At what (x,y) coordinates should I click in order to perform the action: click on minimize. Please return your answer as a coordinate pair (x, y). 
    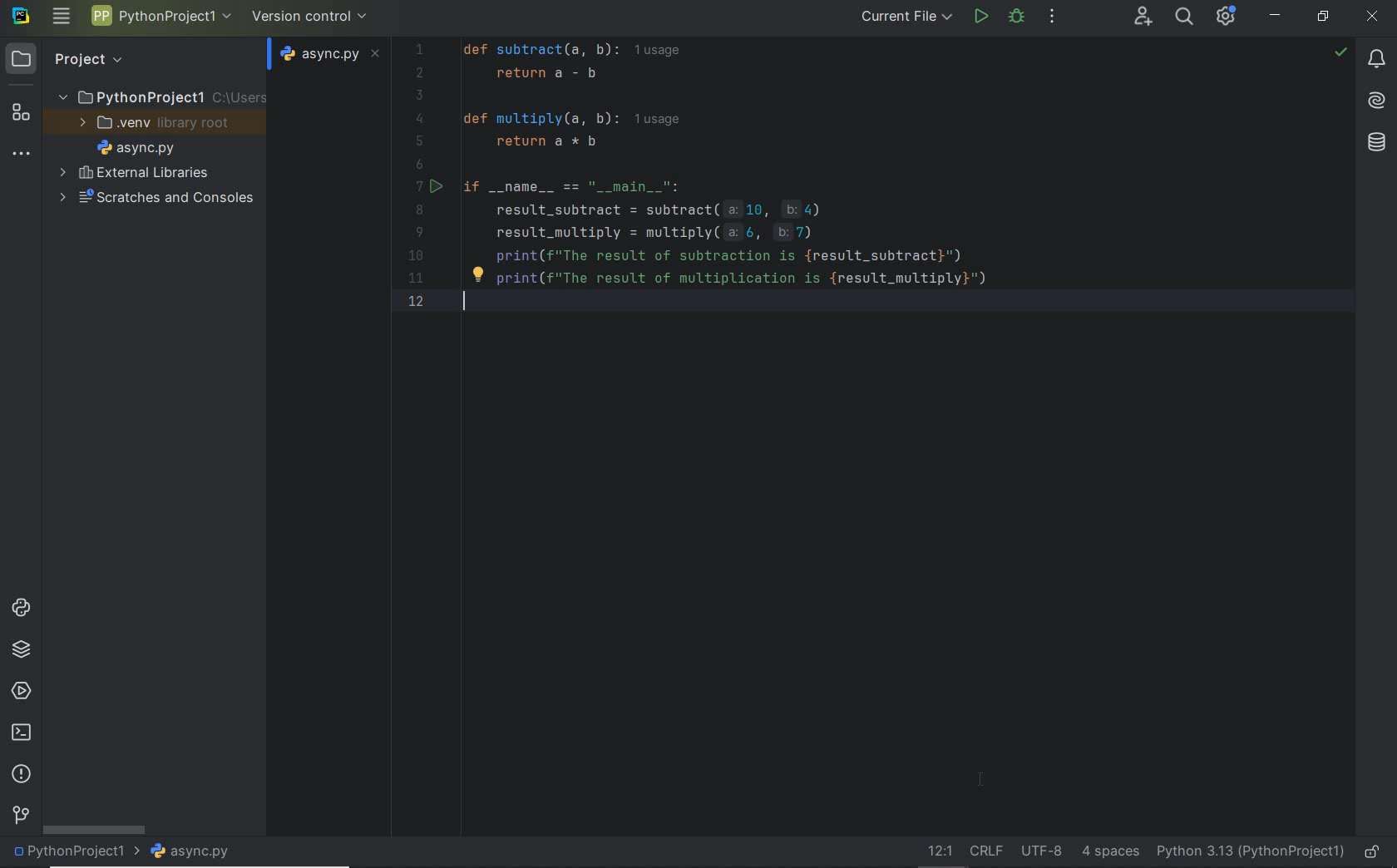
    Looking at the image, I should click on (1275, 15).